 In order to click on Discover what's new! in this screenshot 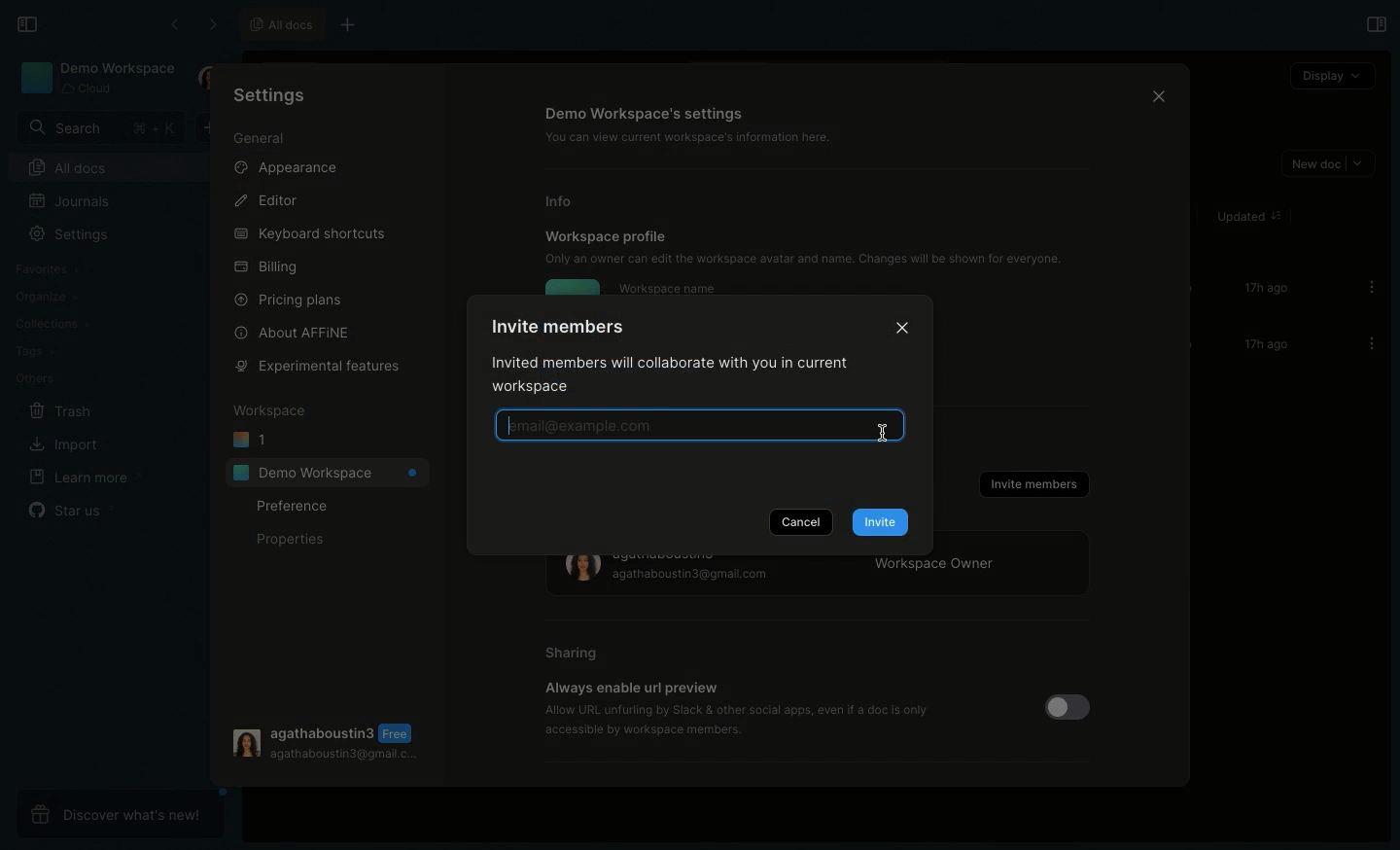, I will do `click(118, 812)`.